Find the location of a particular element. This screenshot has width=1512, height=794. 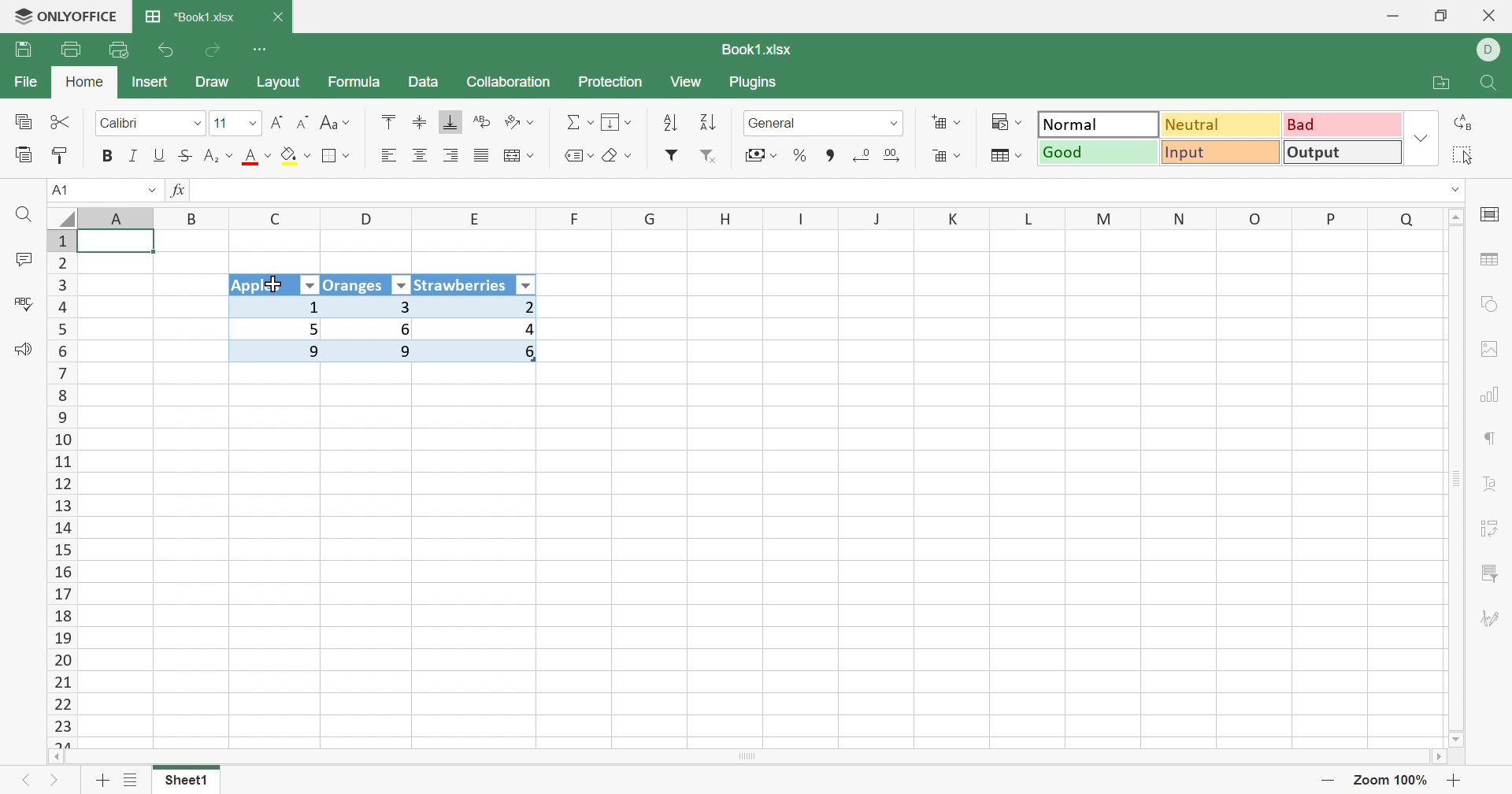

Input is located at coordinates (1225, 154).